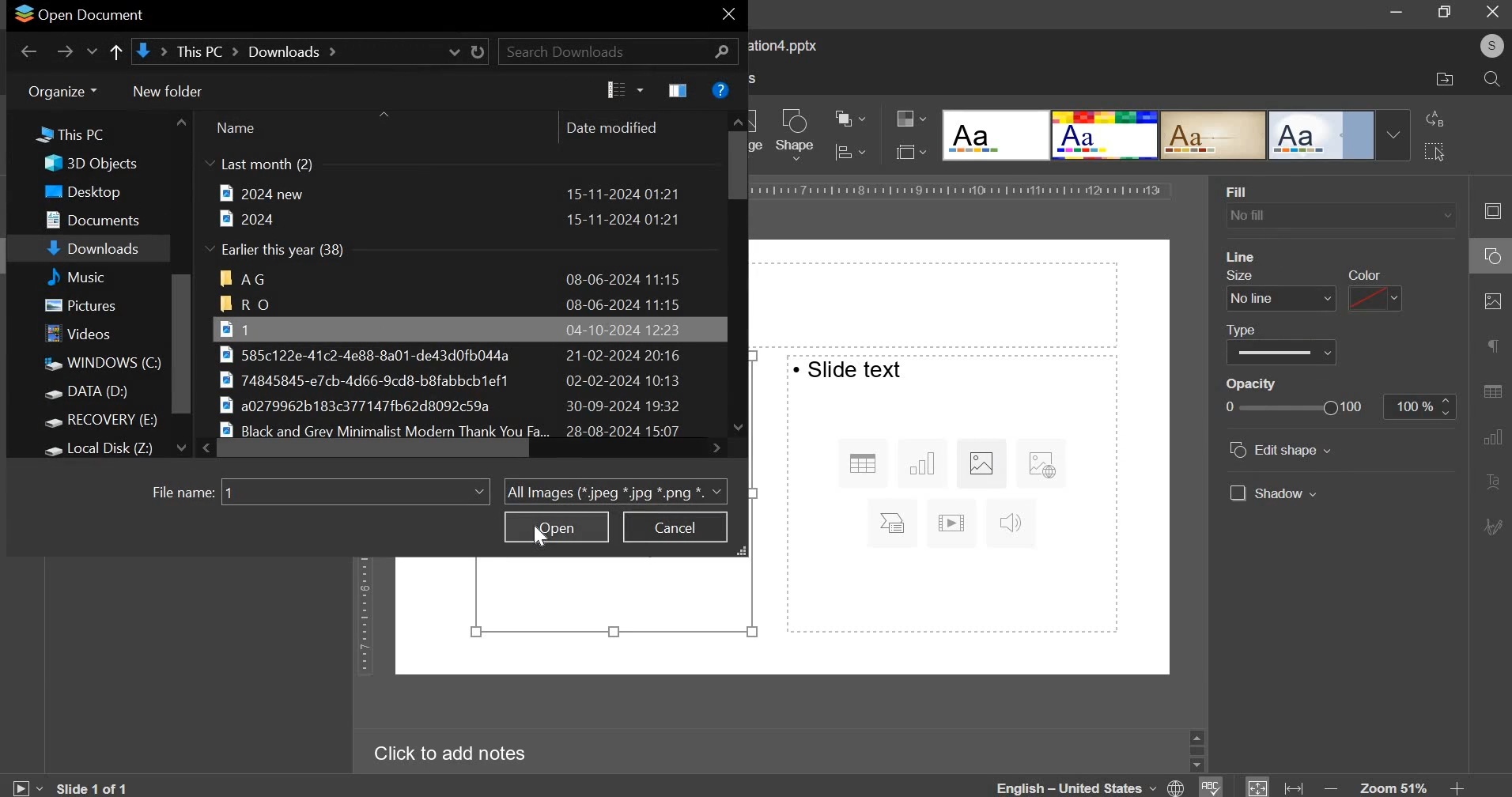  I want to click on text, so click(849, 369).